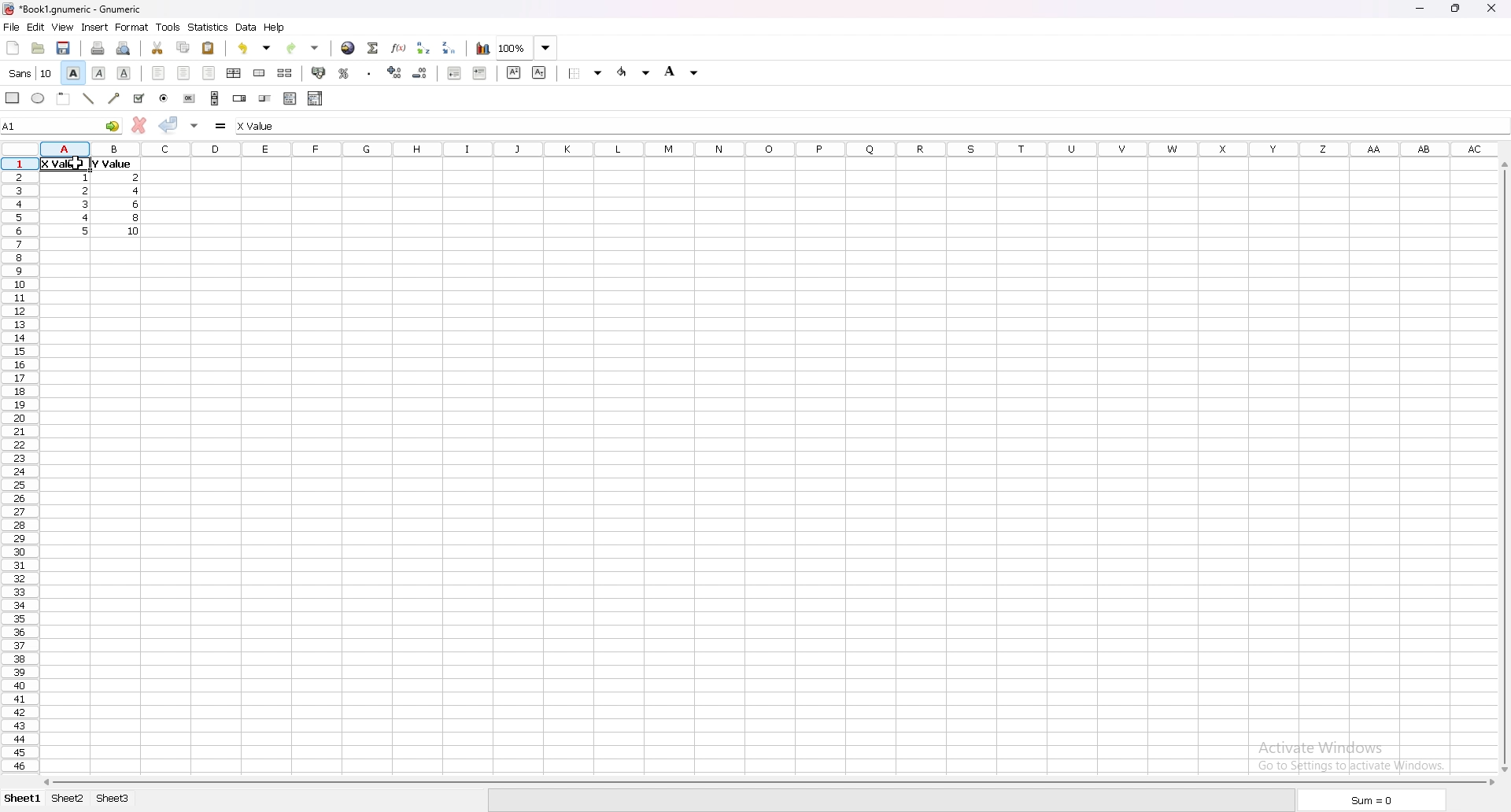  Describe the element at coordinates (17, 471) in the screenshot. I see `rows` at that location.